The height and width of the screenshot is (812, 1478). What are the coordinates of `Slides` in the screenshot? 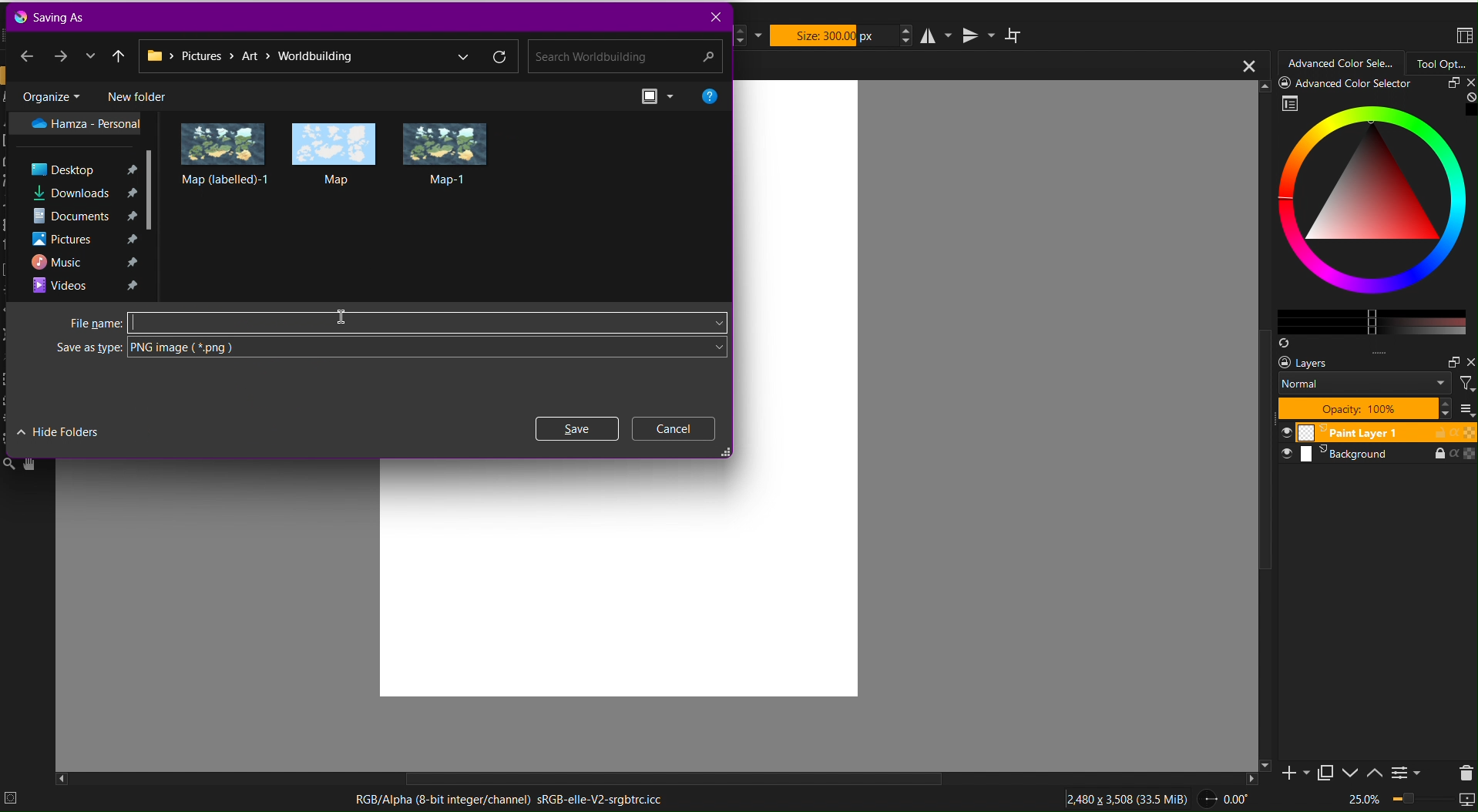 It's located at (1376, 444).